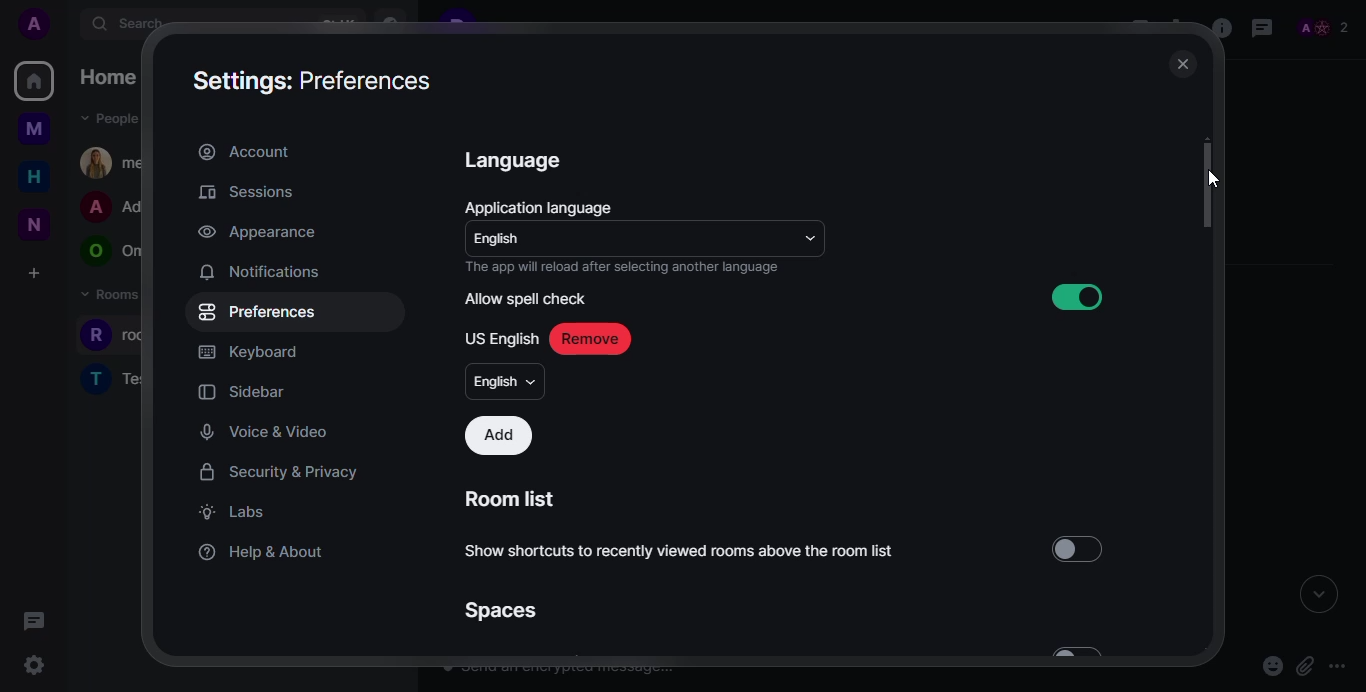 This screenshot has width=1366, height=692. Describe the element at coordinates (255, 233) in the screenshot. I see `appearance` at that location.